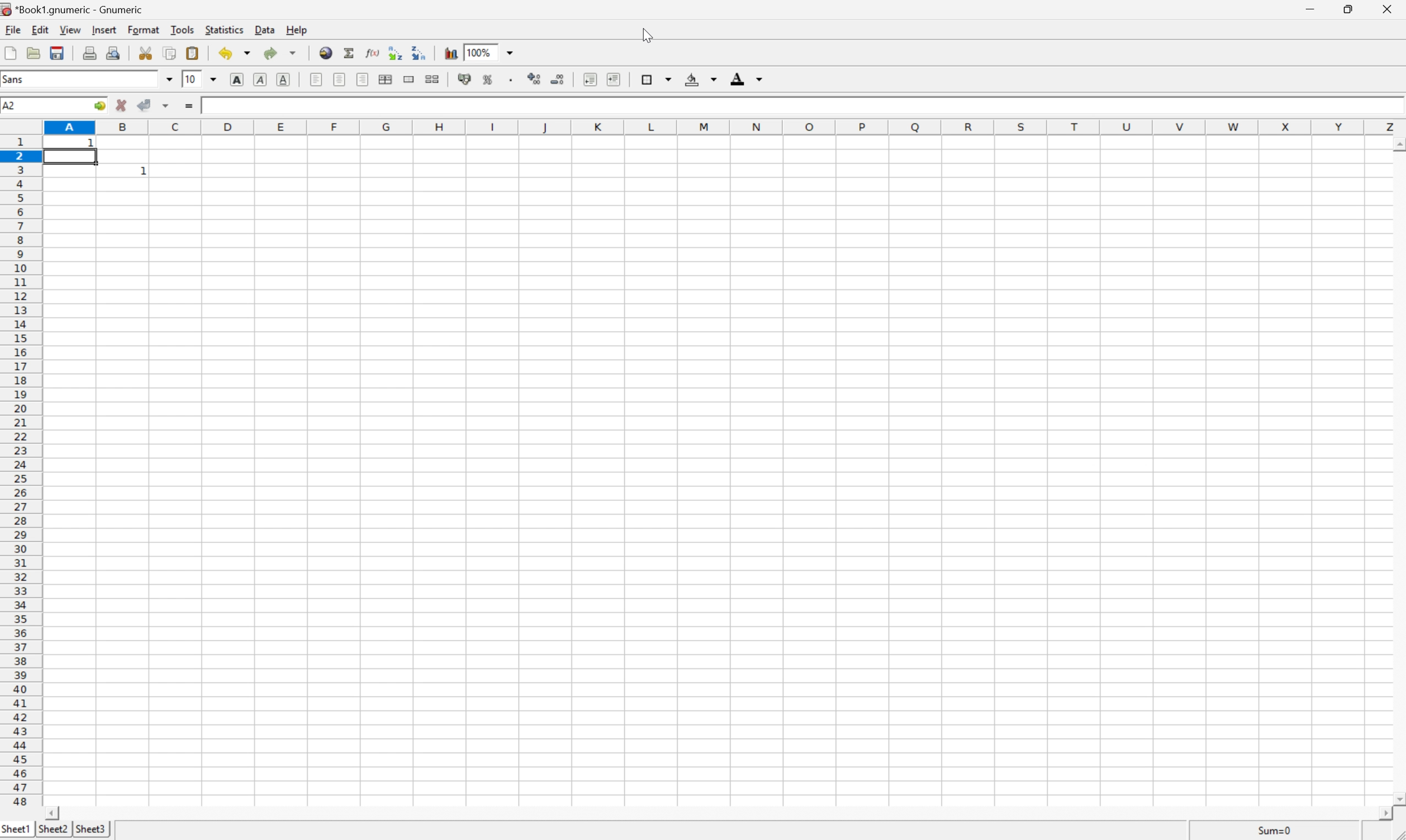 The height and width of the screenshot is (840, 1406). I want to click on bold, so click(237, 80).